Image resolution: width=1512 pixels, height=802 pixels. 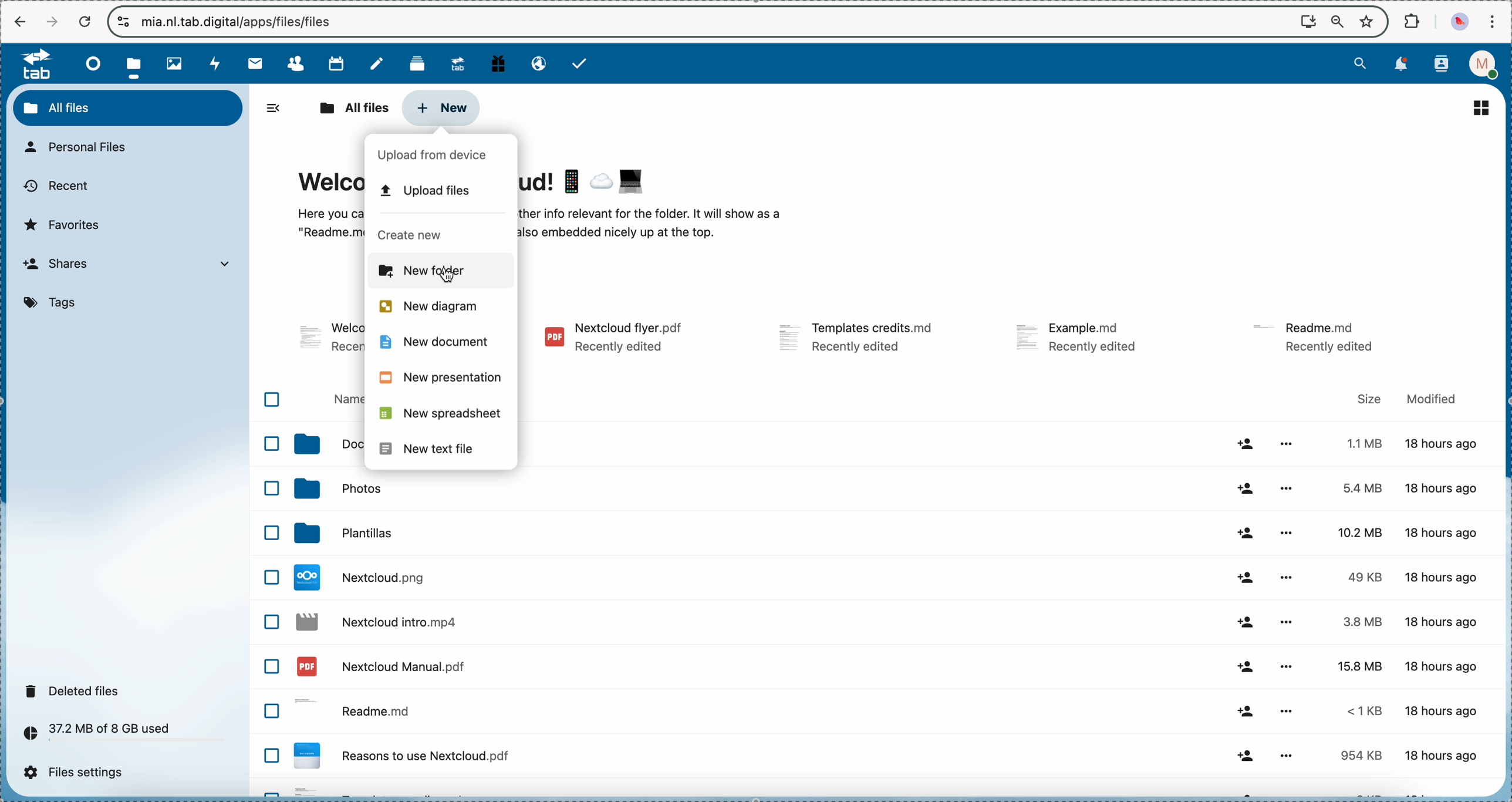 What do you see at coordinates (1413, 20) in the screenshot?
I see `extensions` at bounding box center [1413, 20].